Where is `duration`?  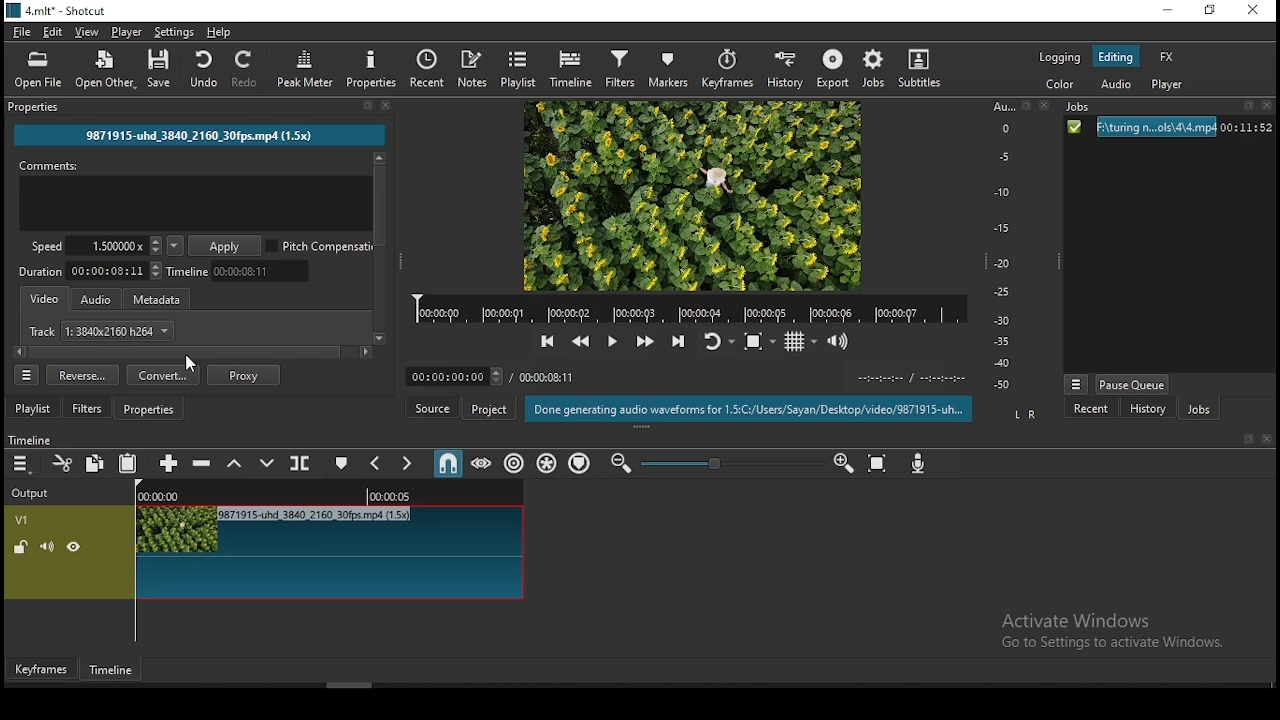 duration is located at coordinates (90, 273).